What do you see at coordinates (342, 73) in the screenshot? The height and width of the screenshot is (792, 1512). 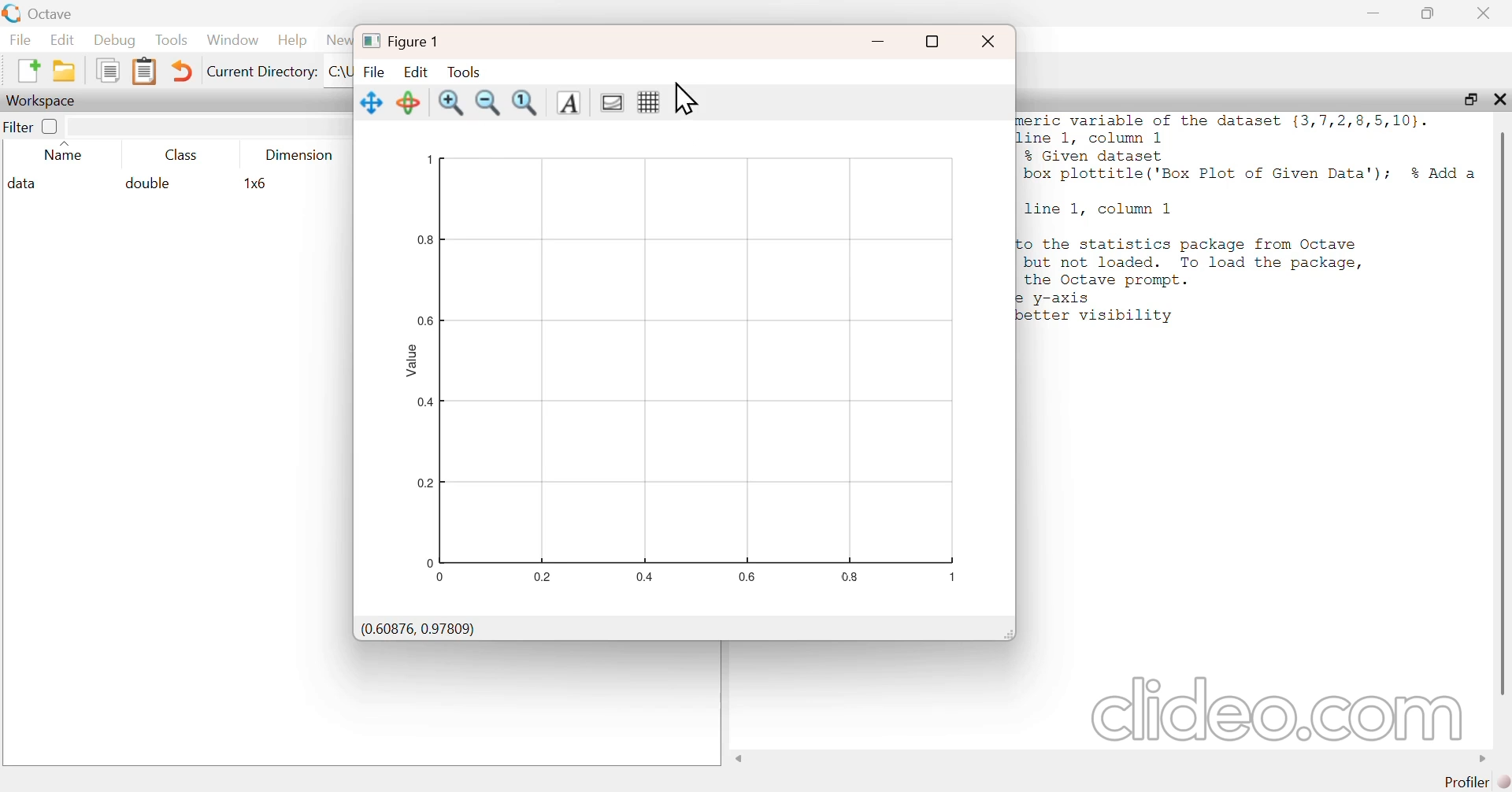 I see `enter directory name` at bounding box center [342, 73].